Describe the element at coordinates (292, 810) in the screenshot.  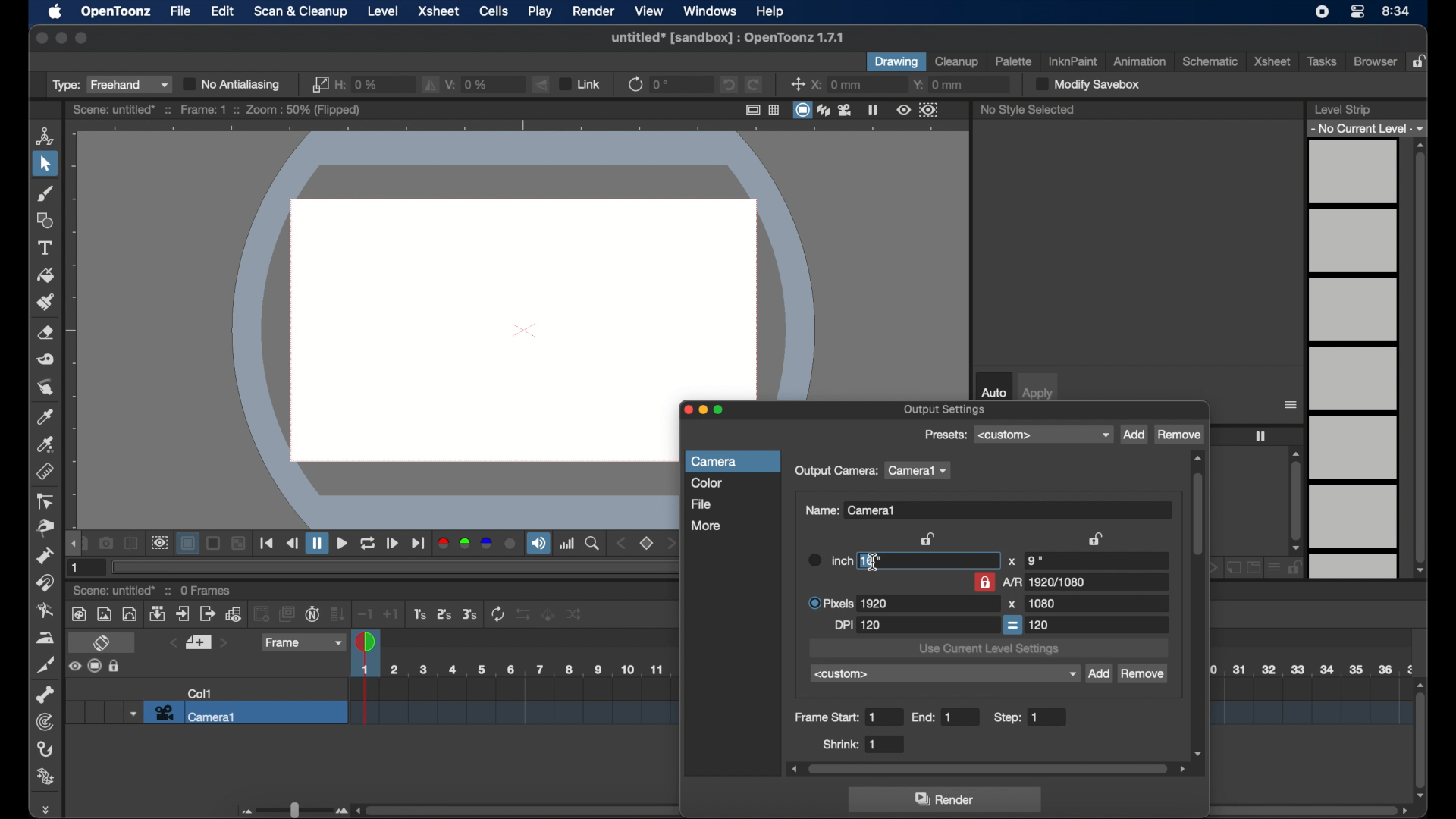
I see `slider` at that location.